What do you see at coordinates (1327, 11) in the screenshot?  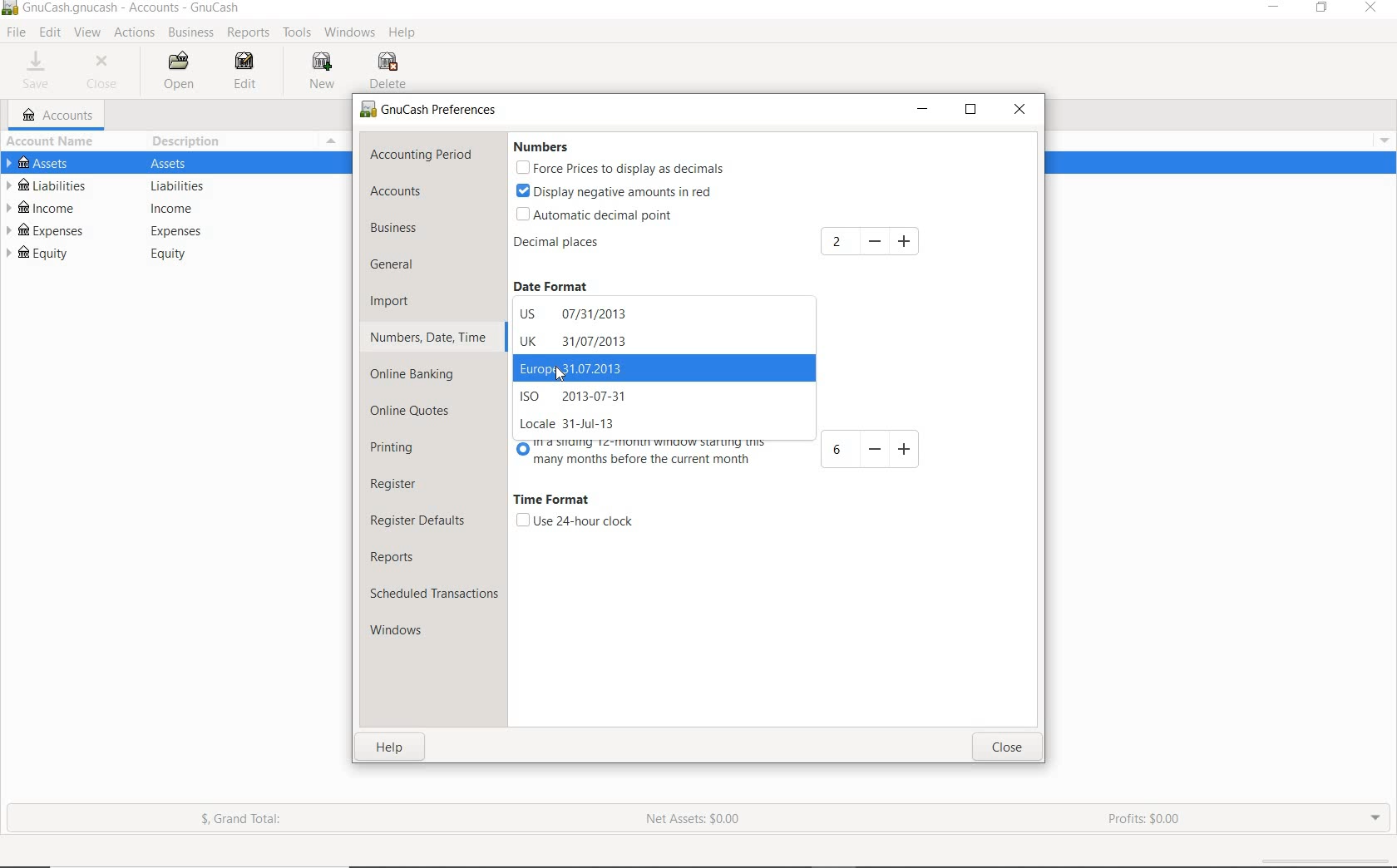 I see `RESTORE DOWN` at bounding box center [1327, 11].